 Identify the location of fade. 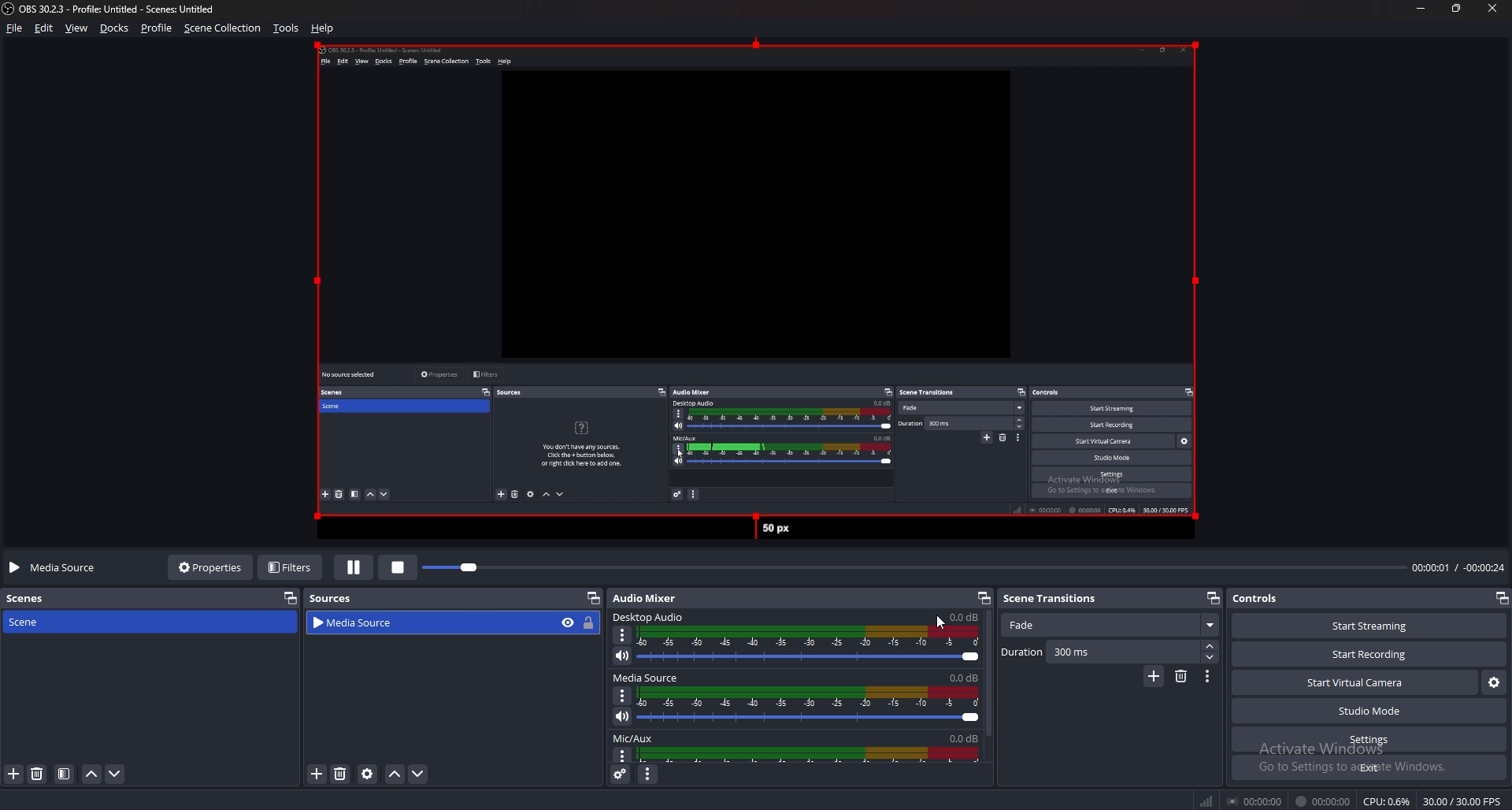
(1113, 625).